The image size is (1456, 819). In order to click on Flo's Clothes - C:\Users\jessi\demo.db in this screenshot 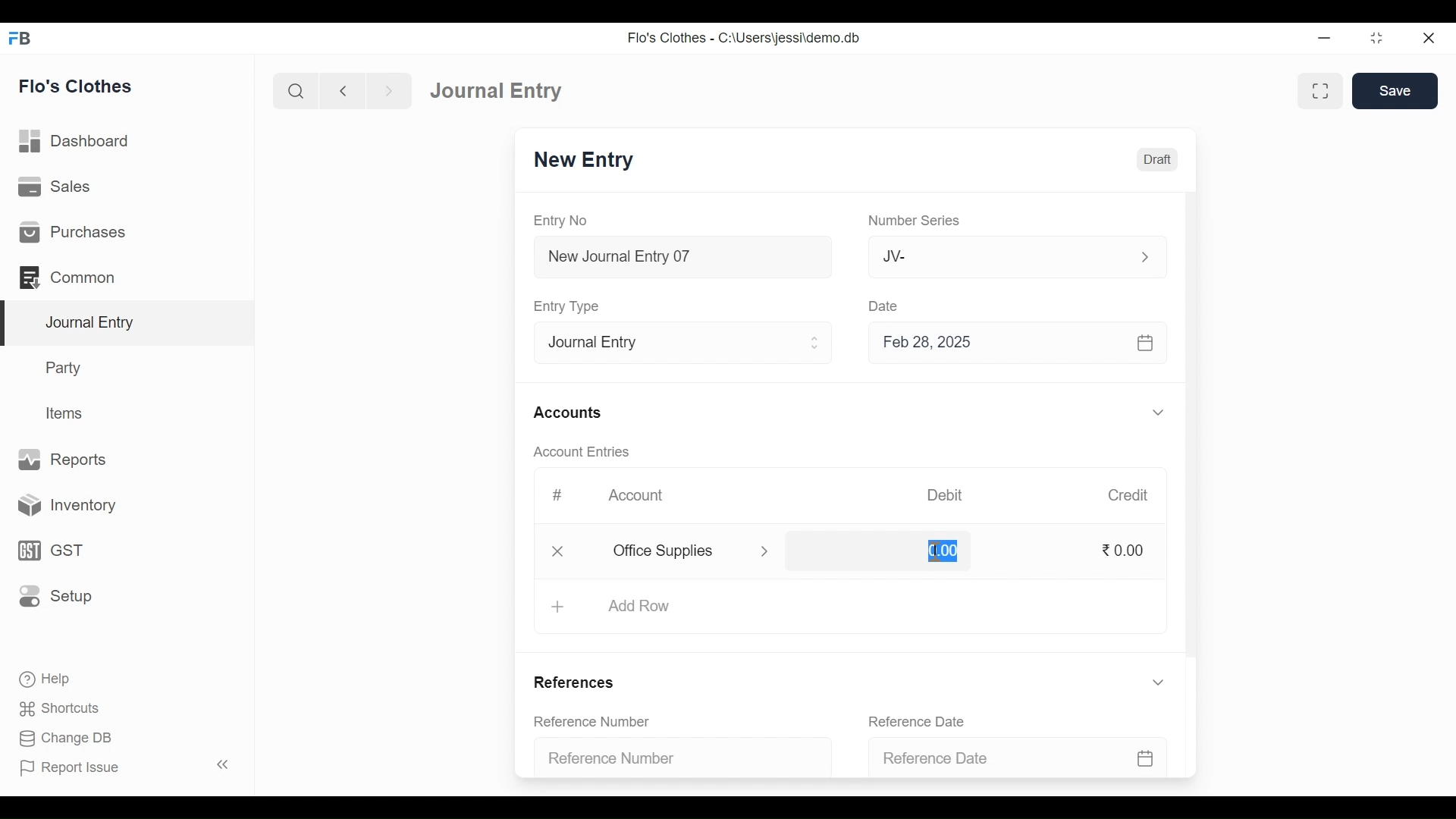, I will do `click(746, 38)`.